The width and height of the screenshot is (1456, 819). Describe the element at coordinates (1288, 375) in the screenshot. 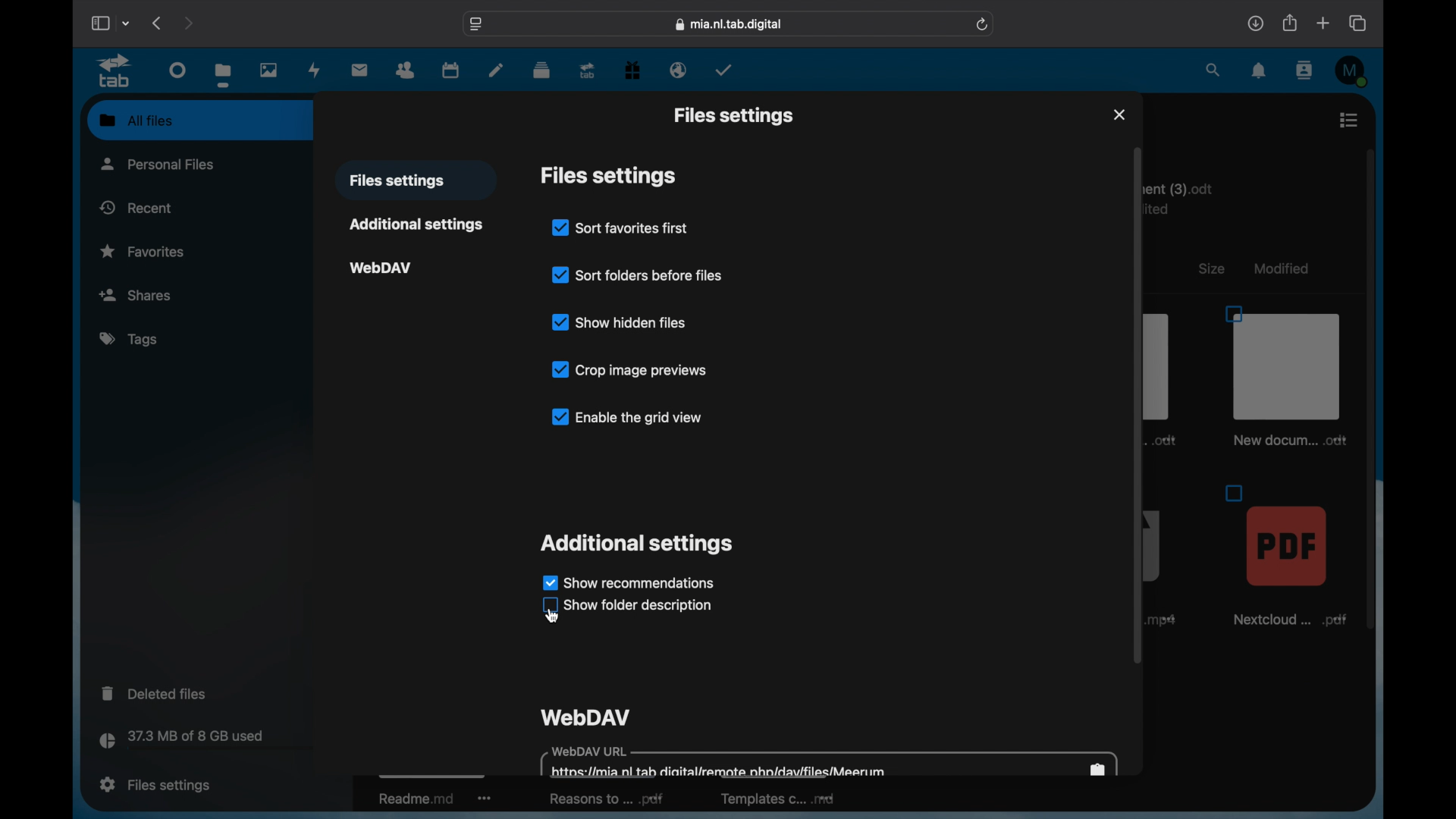

I see `file` at that location.